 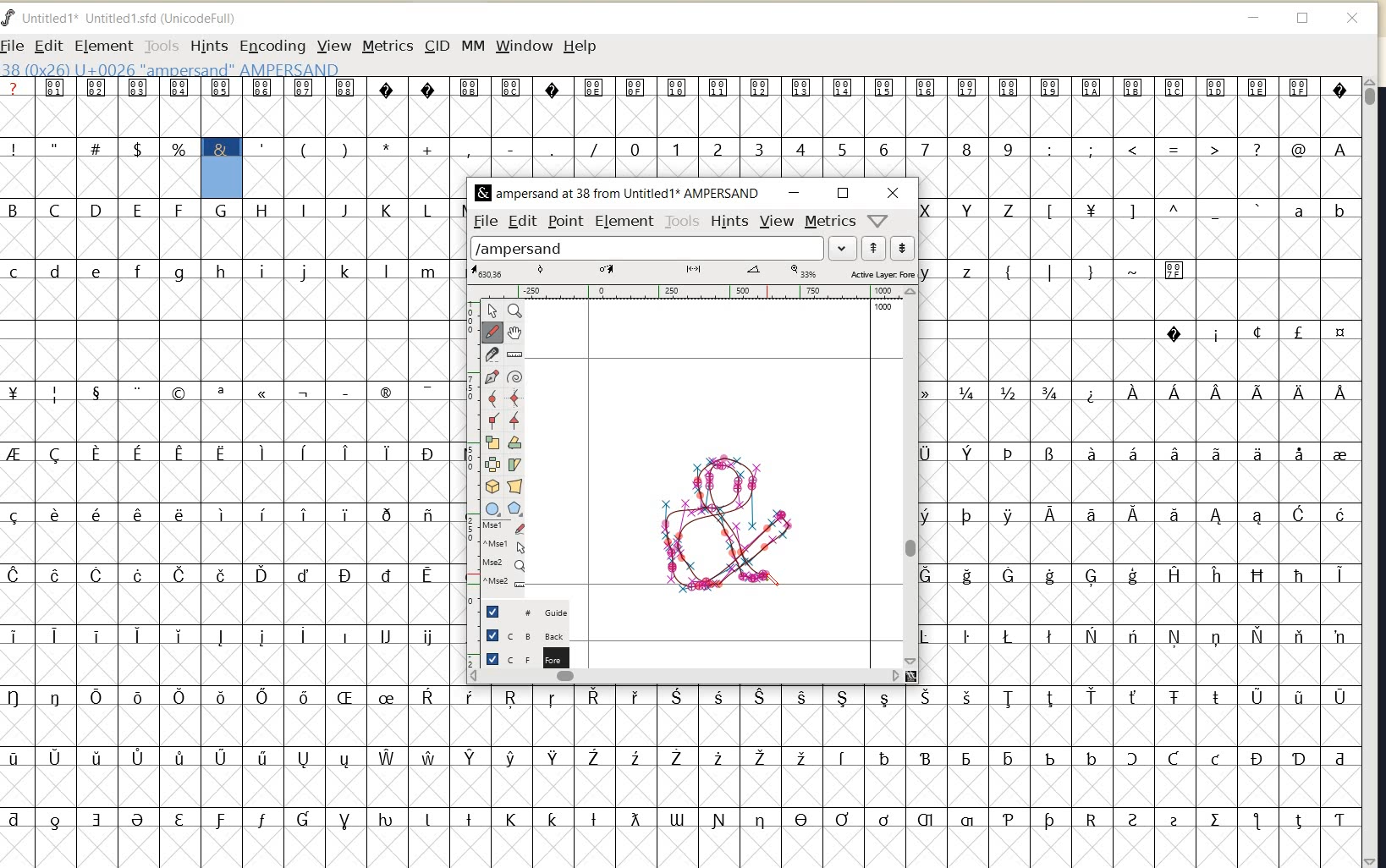 What do you see at coordinates (521, 657) in the screenshot?
I see `FOREGROUND` at bounding box center [521, 657].